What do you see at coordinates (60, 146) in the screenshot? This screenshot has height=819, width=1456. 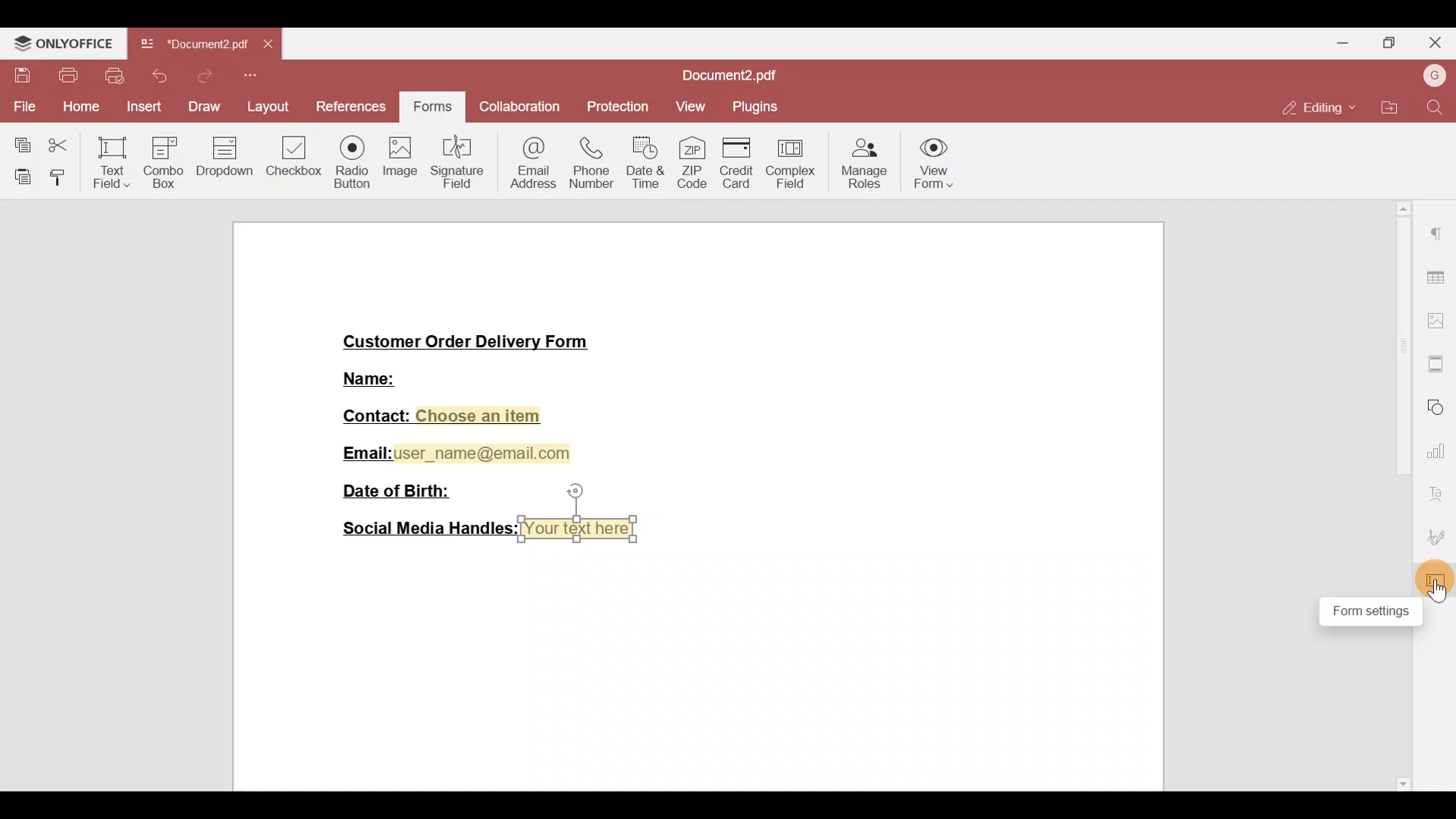 I see `Cut` at bounding box center [60, 146].